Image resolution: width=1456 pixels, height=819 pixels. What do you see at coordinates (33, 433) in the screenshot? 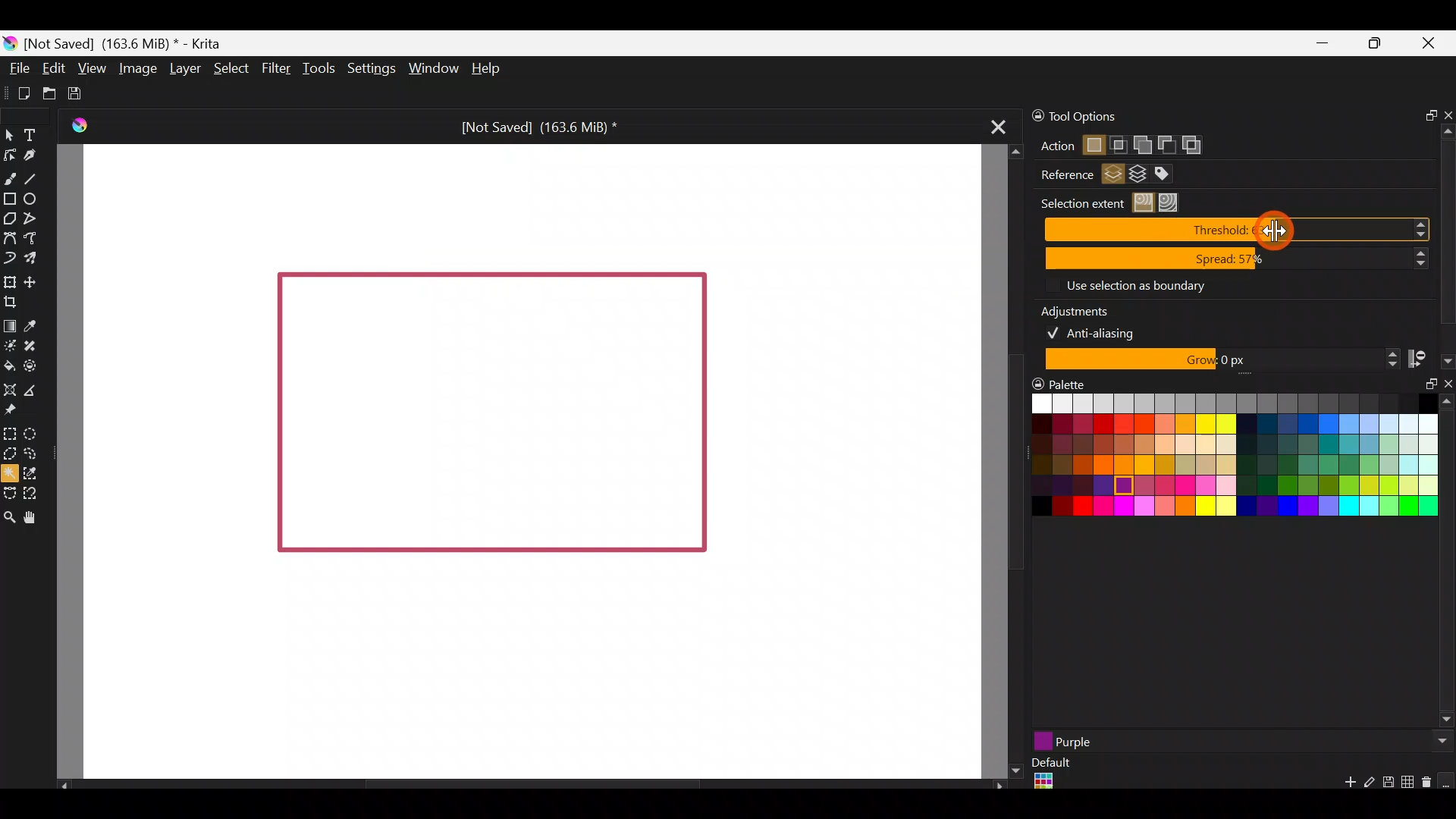
I see `Elliptical selection tool` at bounding box center [33, 433].